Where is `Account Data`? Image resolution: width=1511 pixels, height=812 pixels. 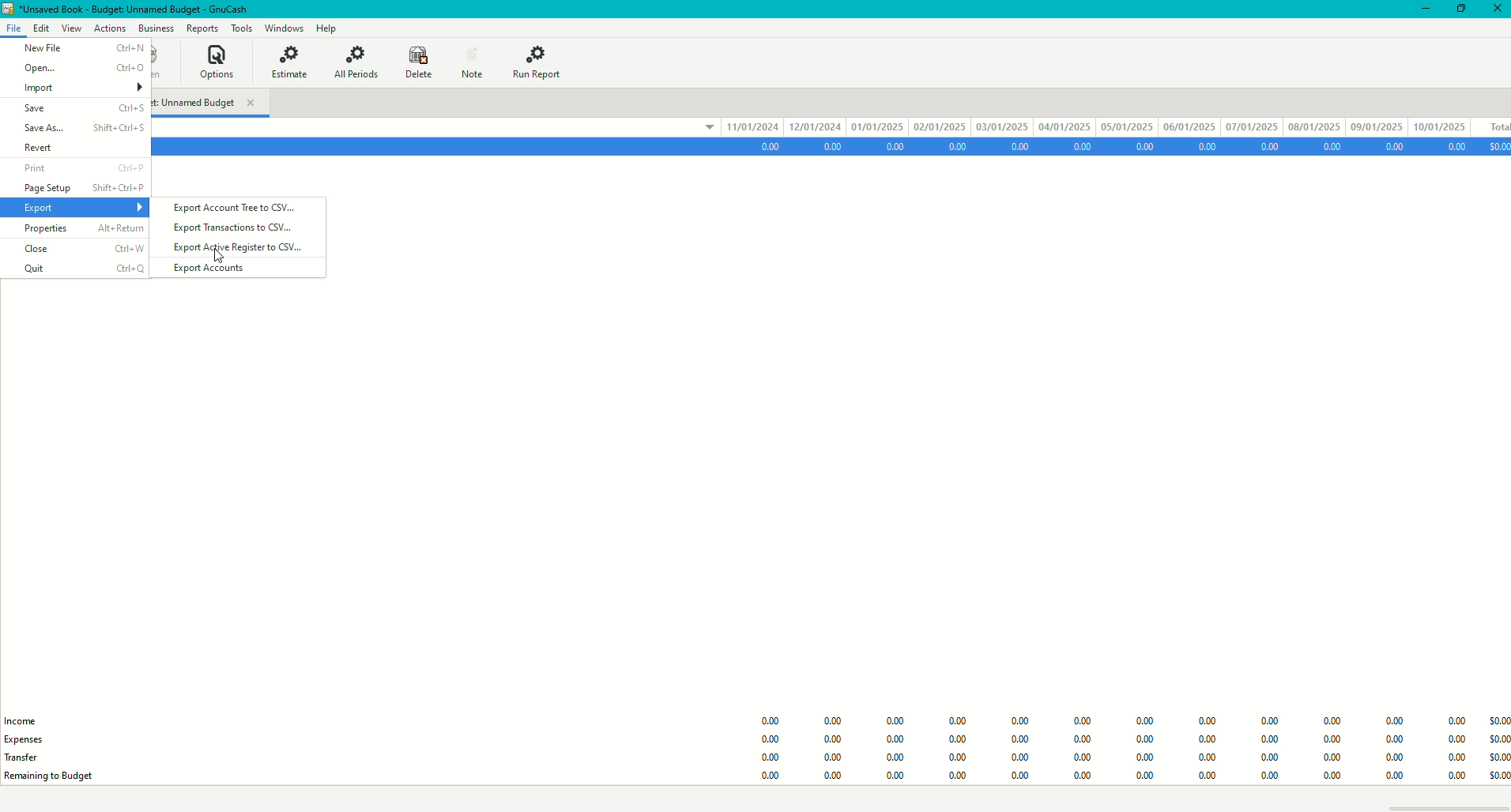 Account Data is located at coordinates (1131, 147).